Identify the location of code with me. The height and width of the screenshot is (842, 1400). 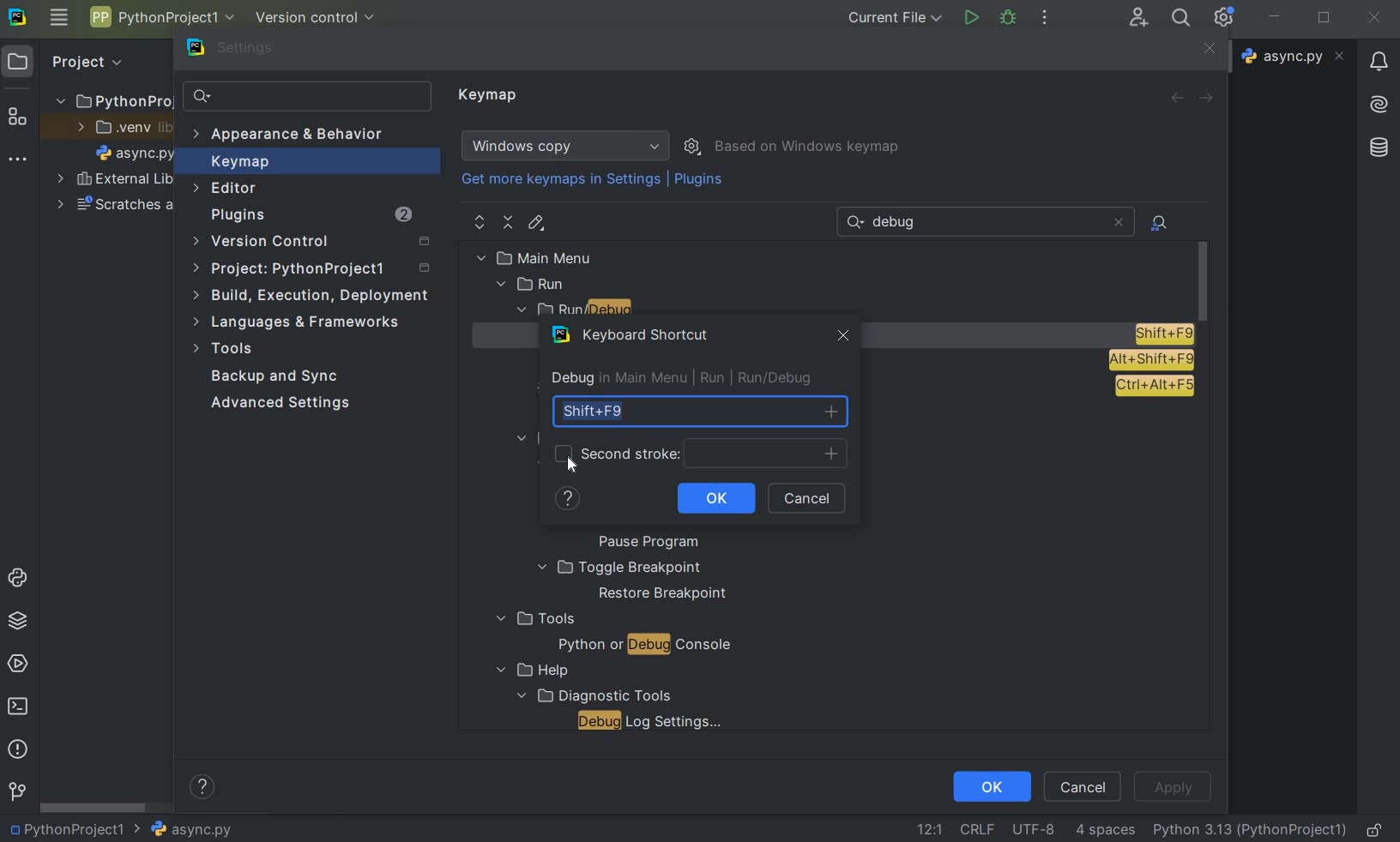
(1138, 16).